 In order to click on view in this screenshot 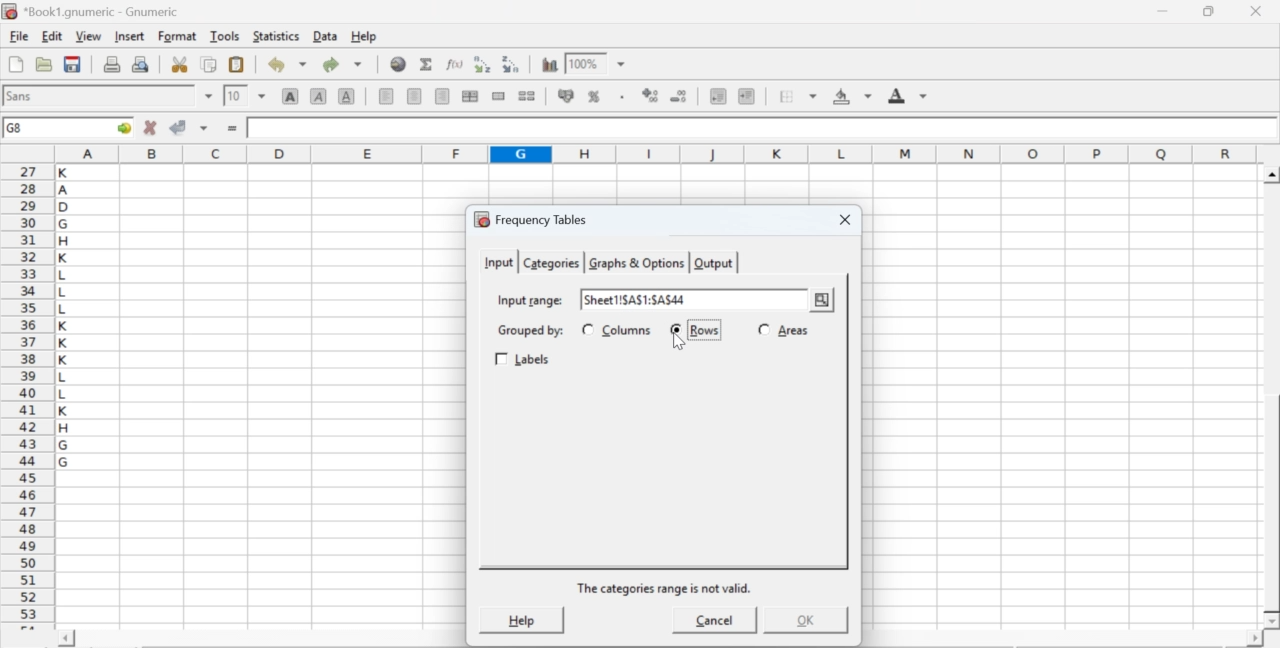, I will do `click(88, 35)`.